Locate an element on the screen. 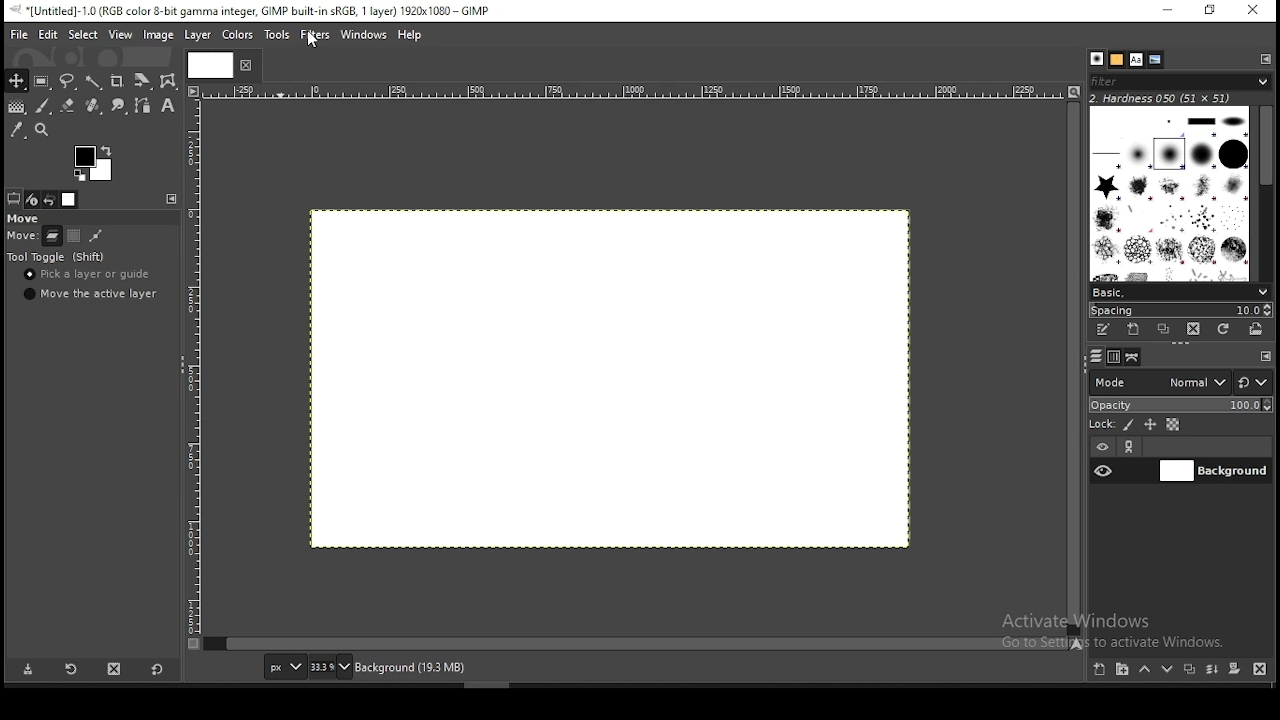  brush tool is located at coordinates (44, 106).